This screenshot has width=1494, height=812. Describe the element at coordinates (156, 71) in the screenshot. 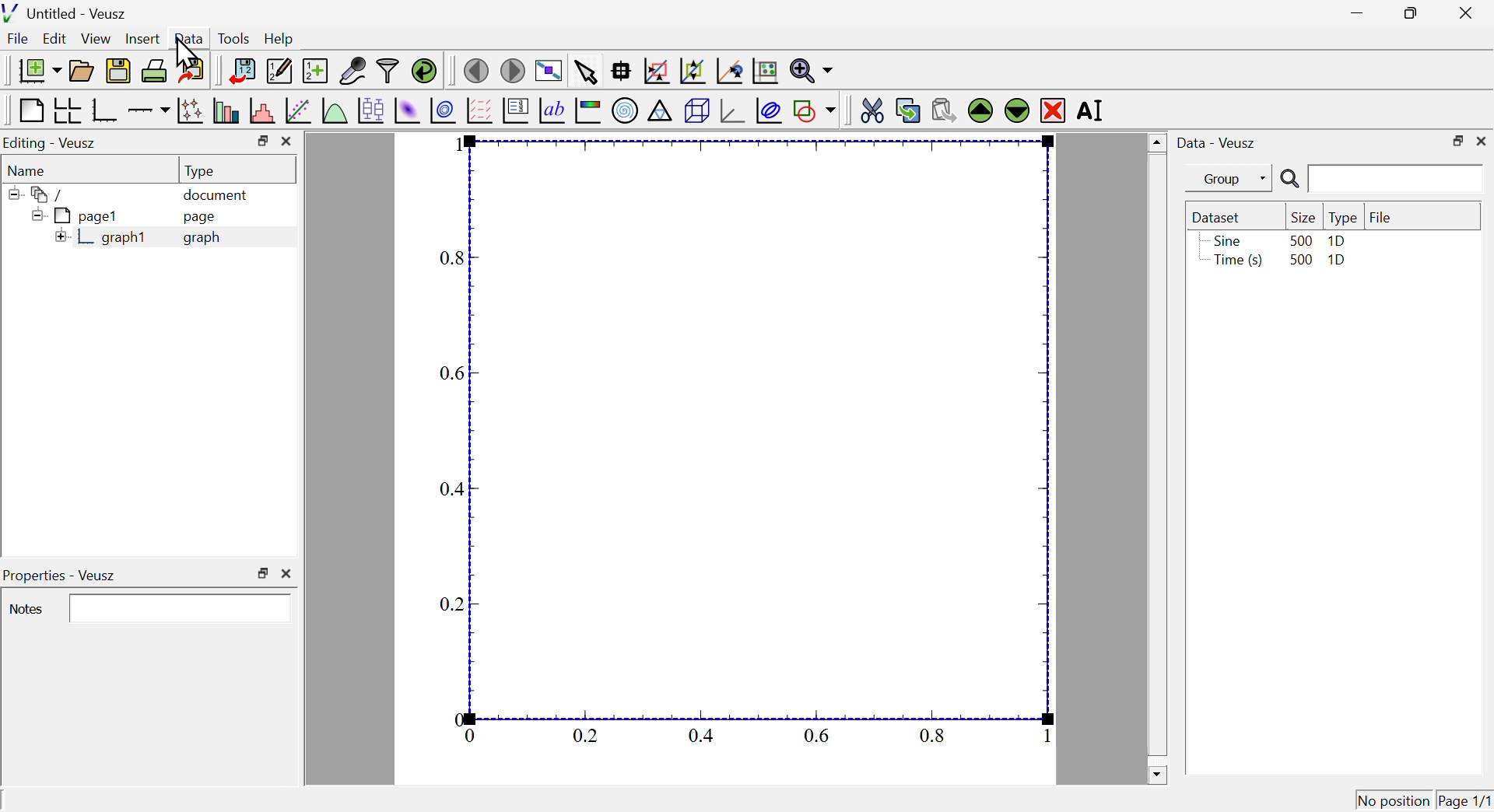

I see `print the document` at that location.